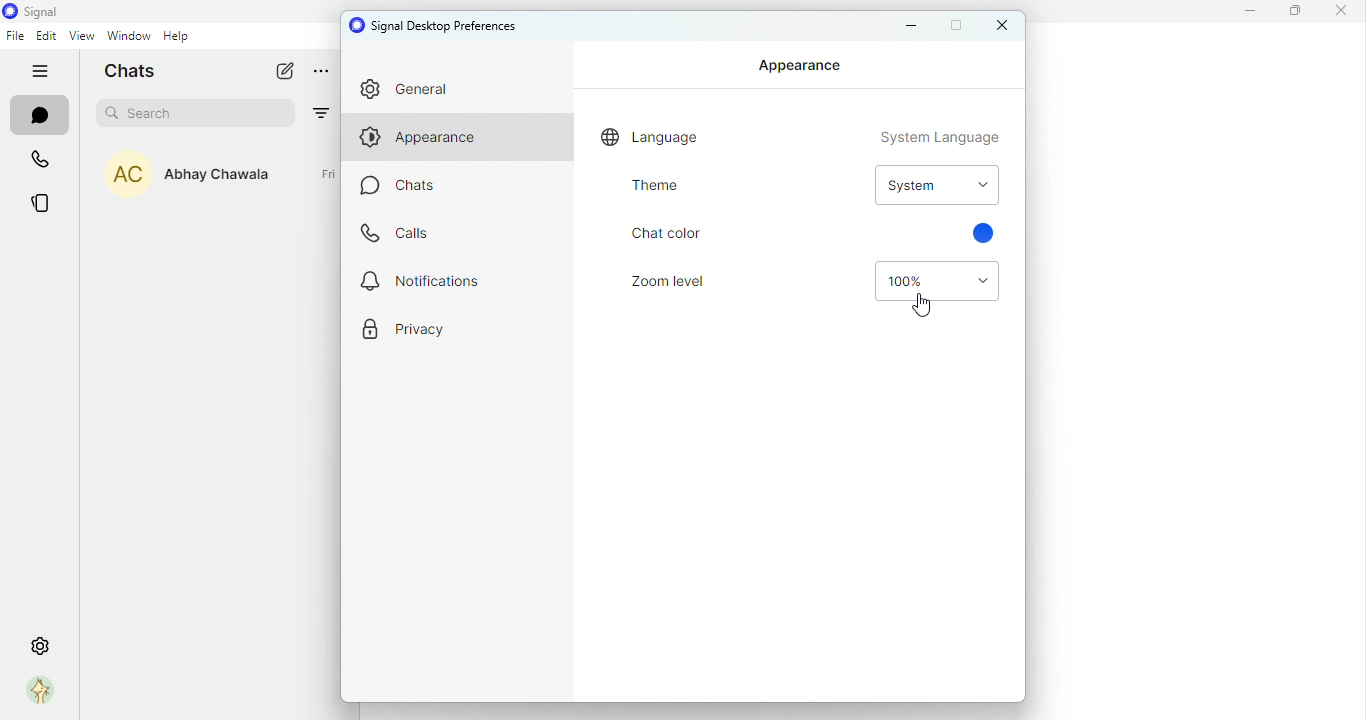 The width and height of the screenshot is (1366, 720). I want to click on Chat colour, so click(666, 231).